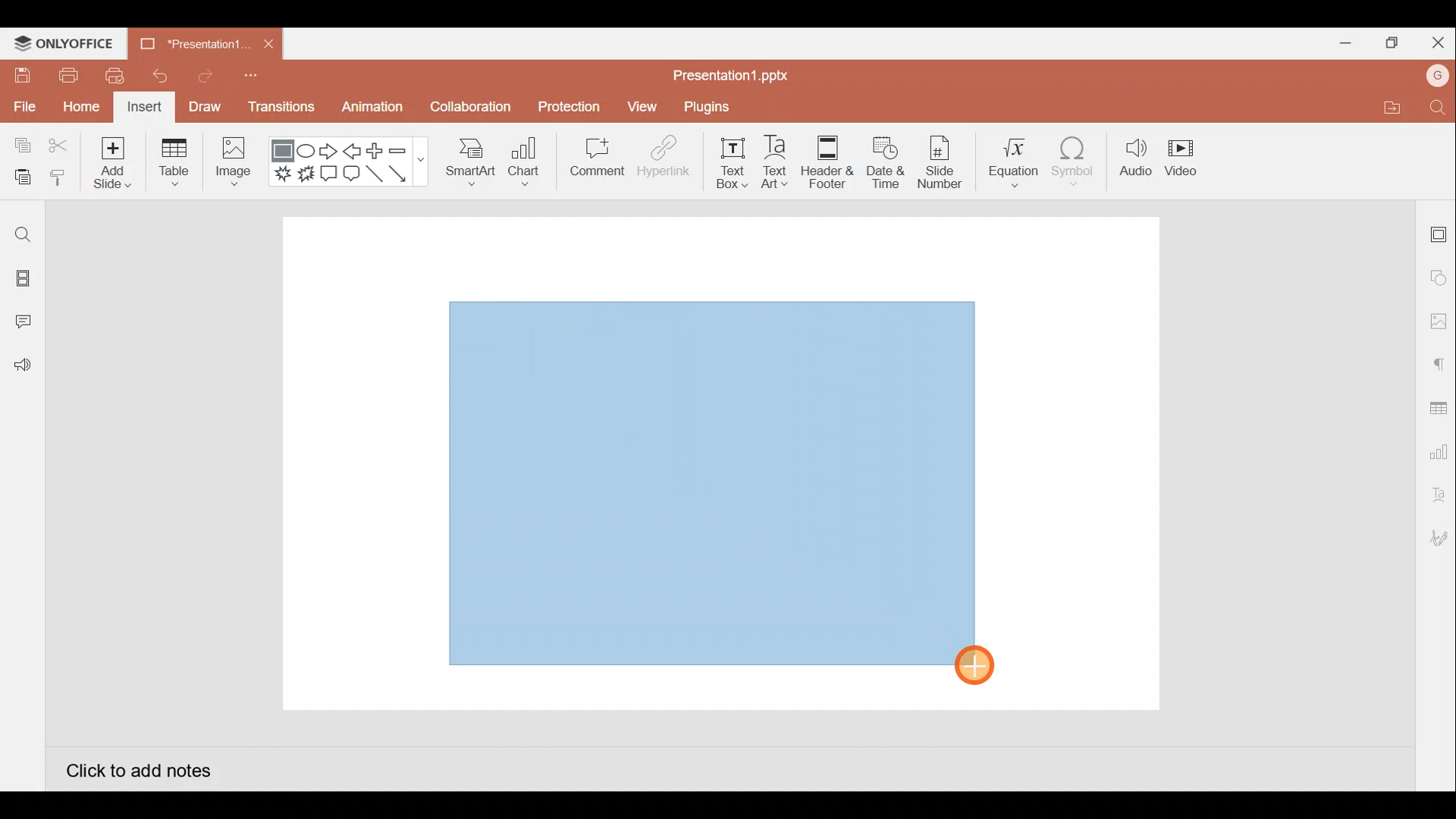  What do you see at coordinates (282, 111) in the screenshot?
I see `Transitions` at bounding box center [282, 111].